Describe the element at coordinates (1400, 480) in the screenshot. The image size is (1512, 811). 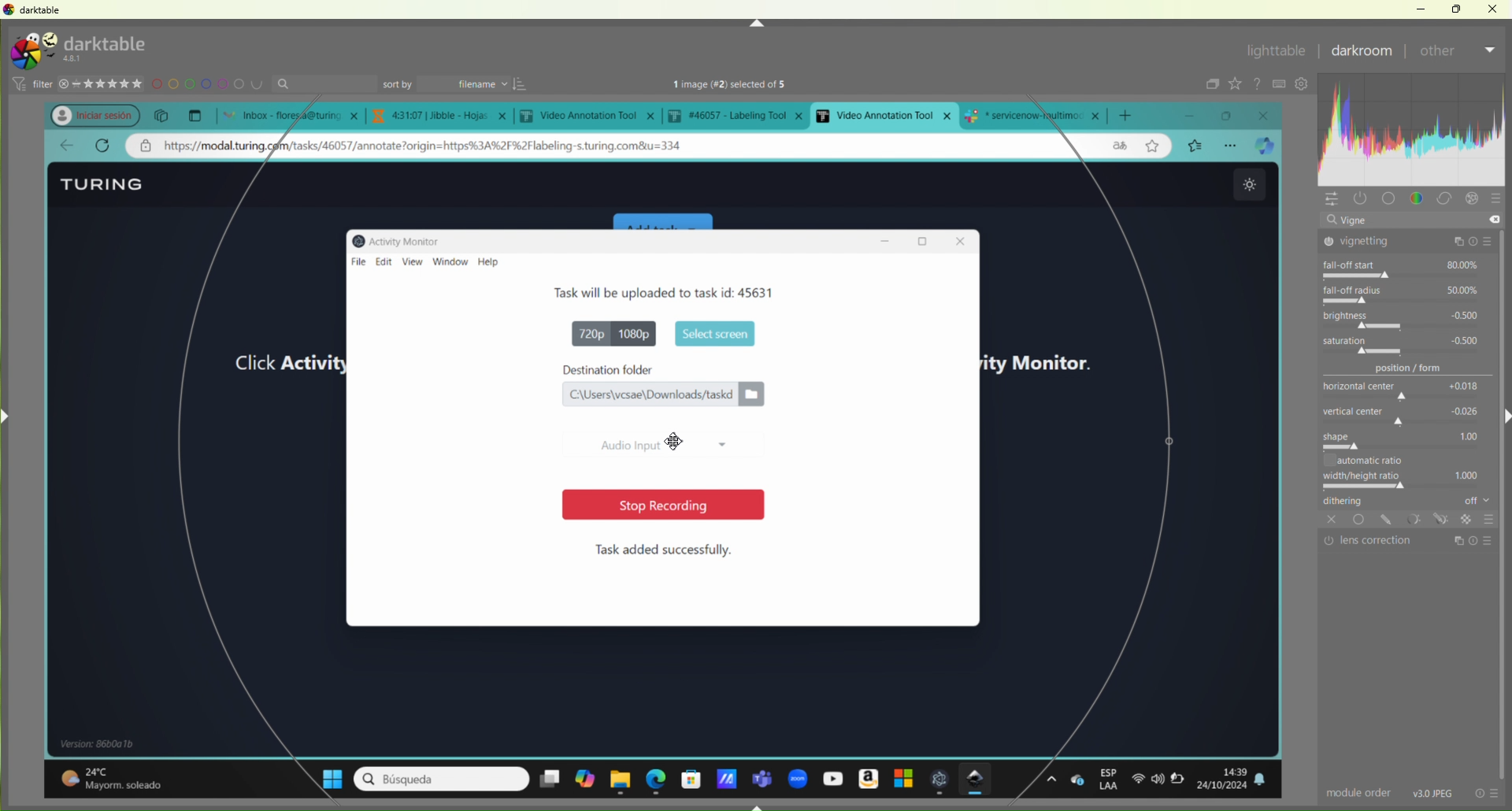
I see `width/height ratio` at that location.